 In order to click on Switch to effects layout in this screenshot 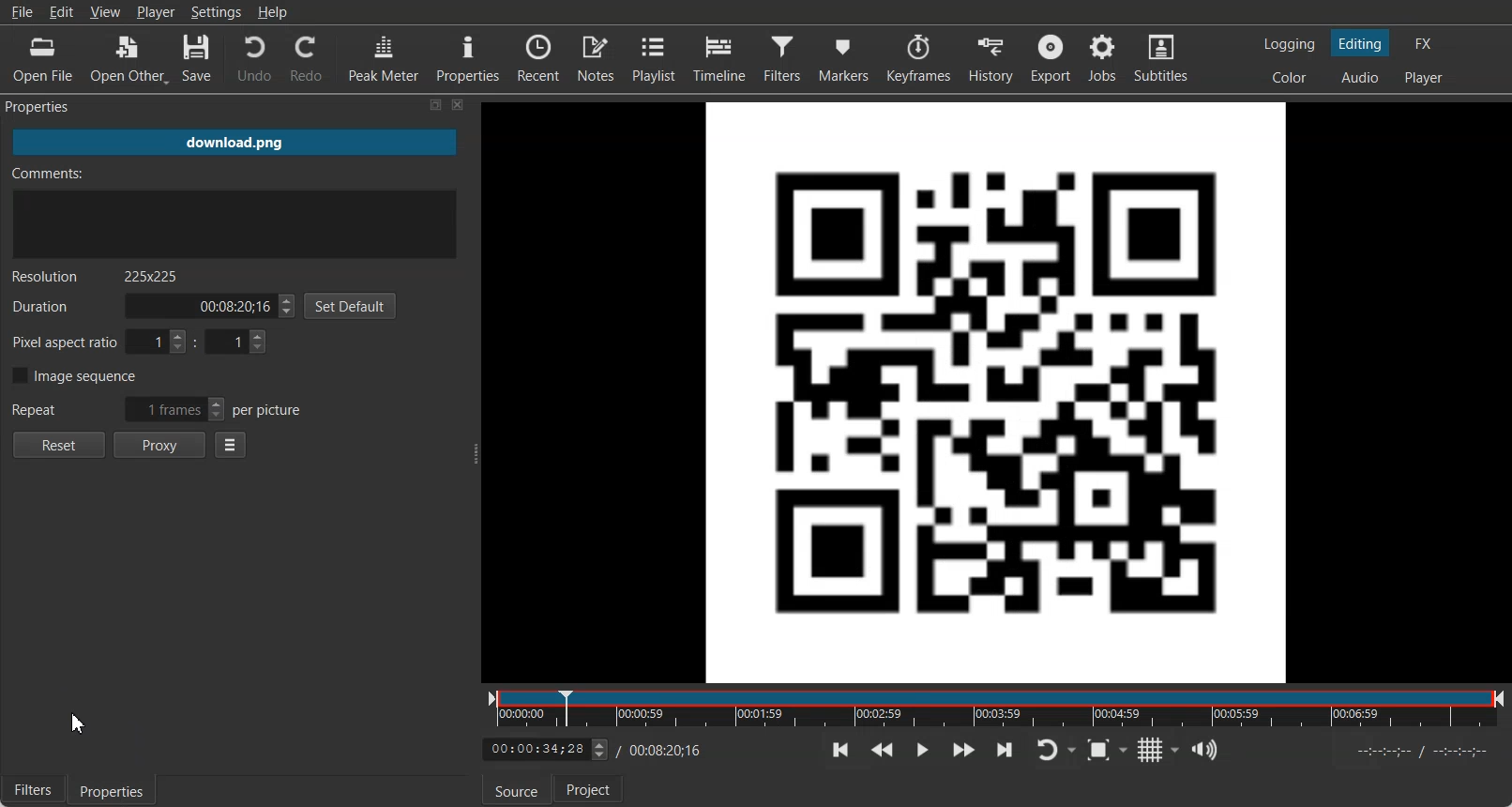, I will do `click(1429, 42)`.